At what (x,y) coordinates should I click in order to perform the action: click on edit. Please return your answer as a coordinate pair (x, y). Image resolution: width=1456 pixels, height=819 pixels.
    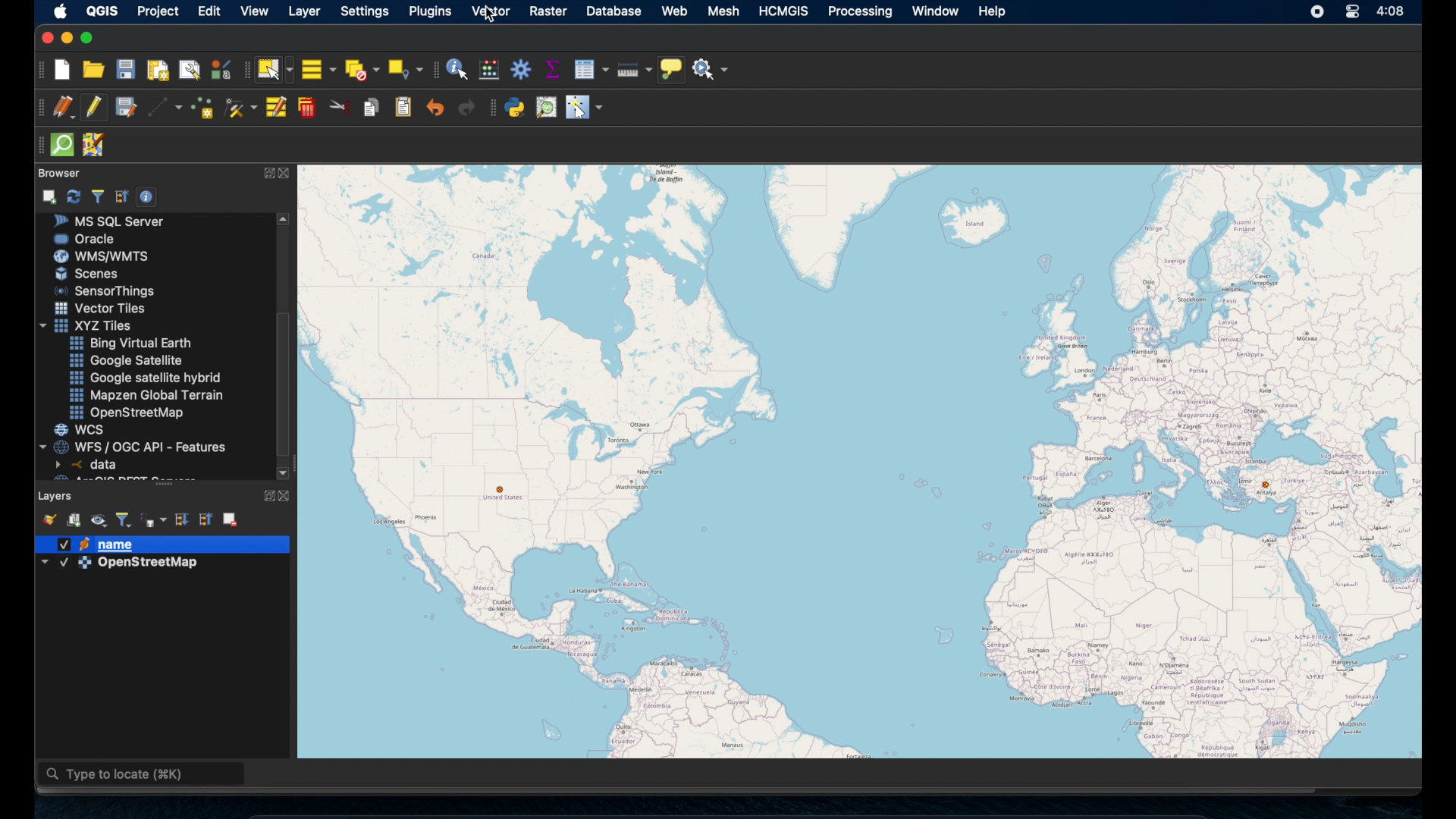
    Looking at the image, I should click on (212, 11).